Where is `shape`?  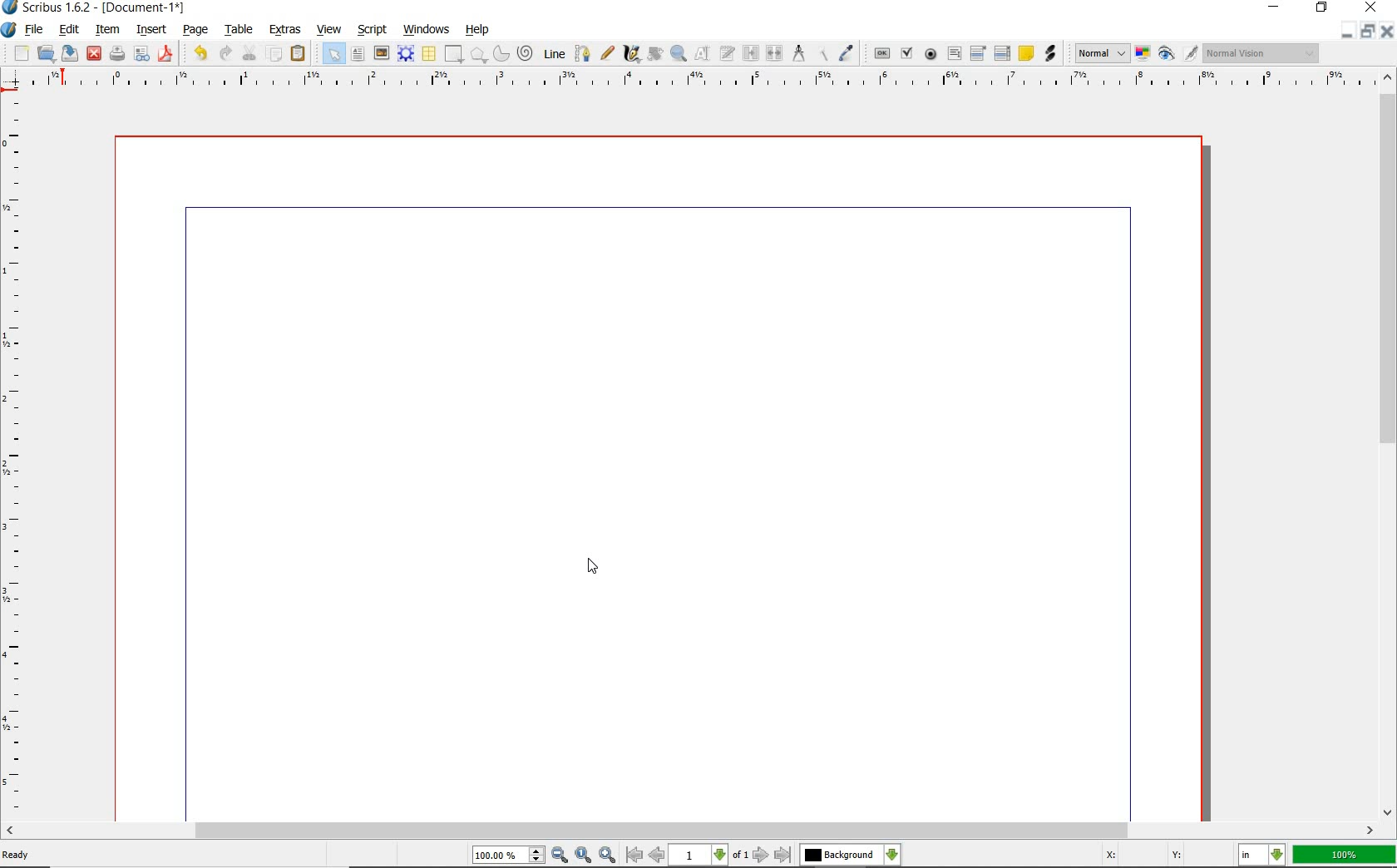 shape is located at coordinates (455, 54).